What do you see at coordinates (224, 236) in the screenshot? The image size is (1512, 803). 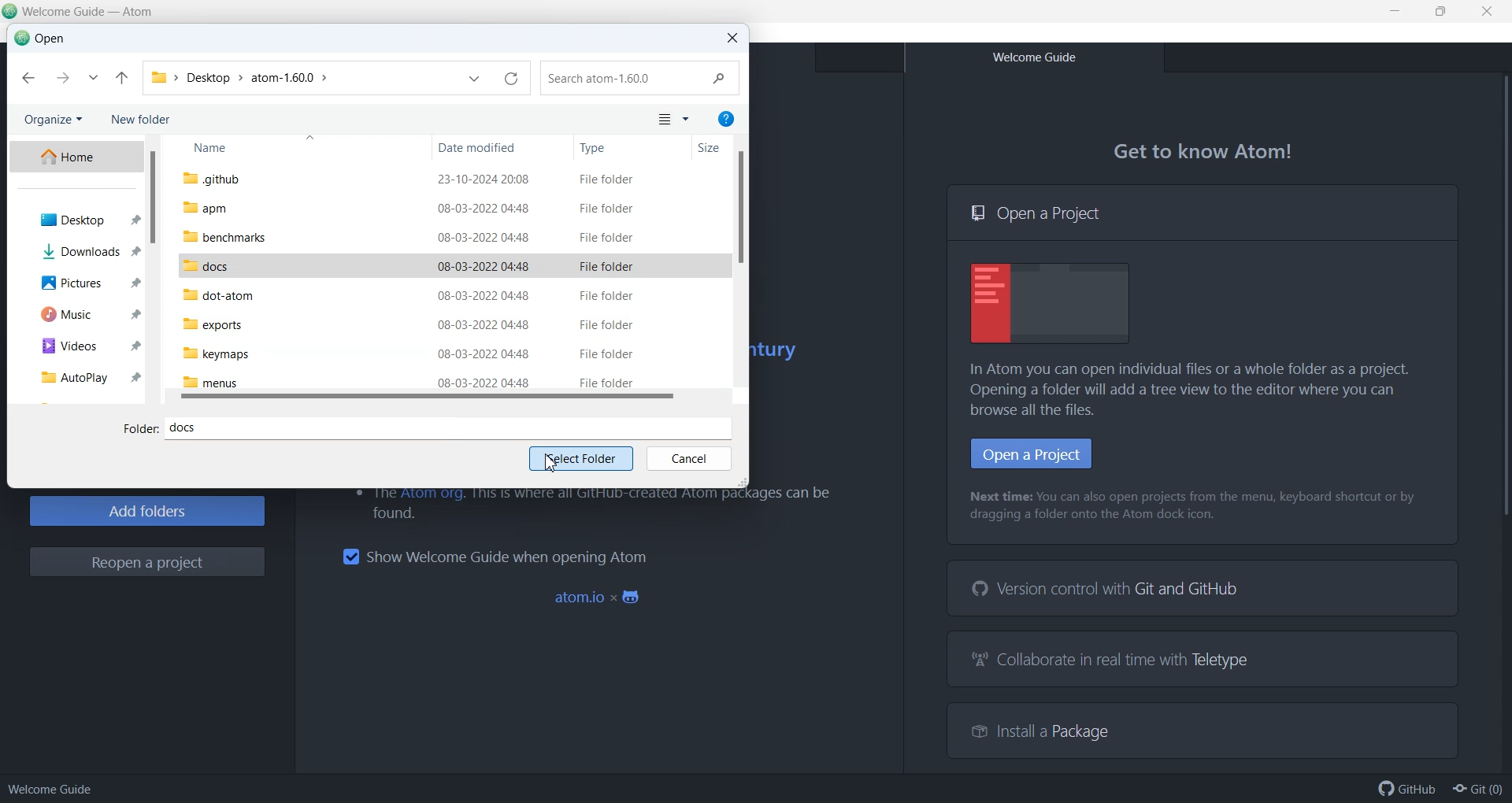 I see `benchmarks` at bounding box center [224, 236].